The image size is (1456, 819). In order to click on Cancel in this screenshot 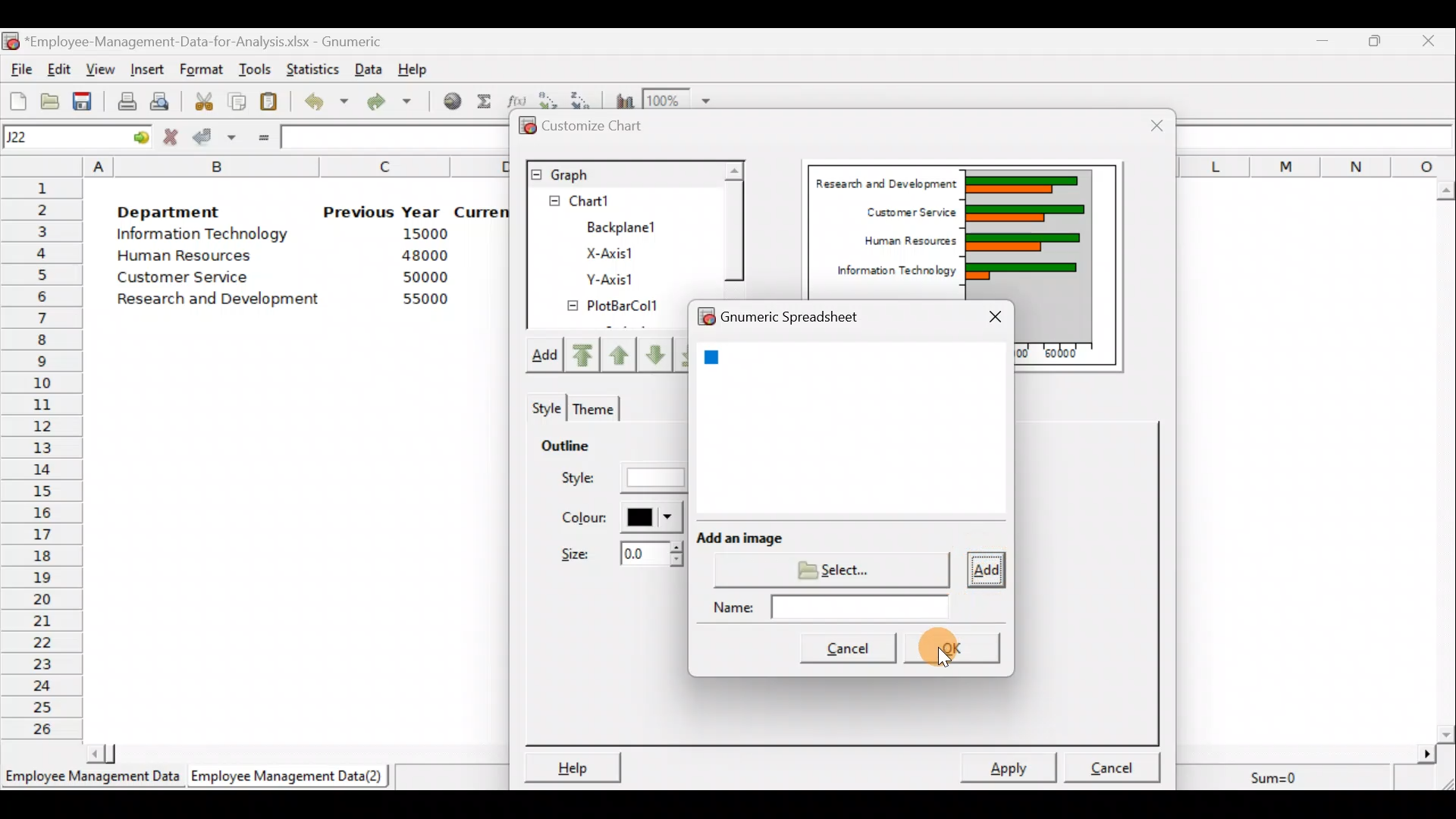, I will do `click(1112, 764)`.